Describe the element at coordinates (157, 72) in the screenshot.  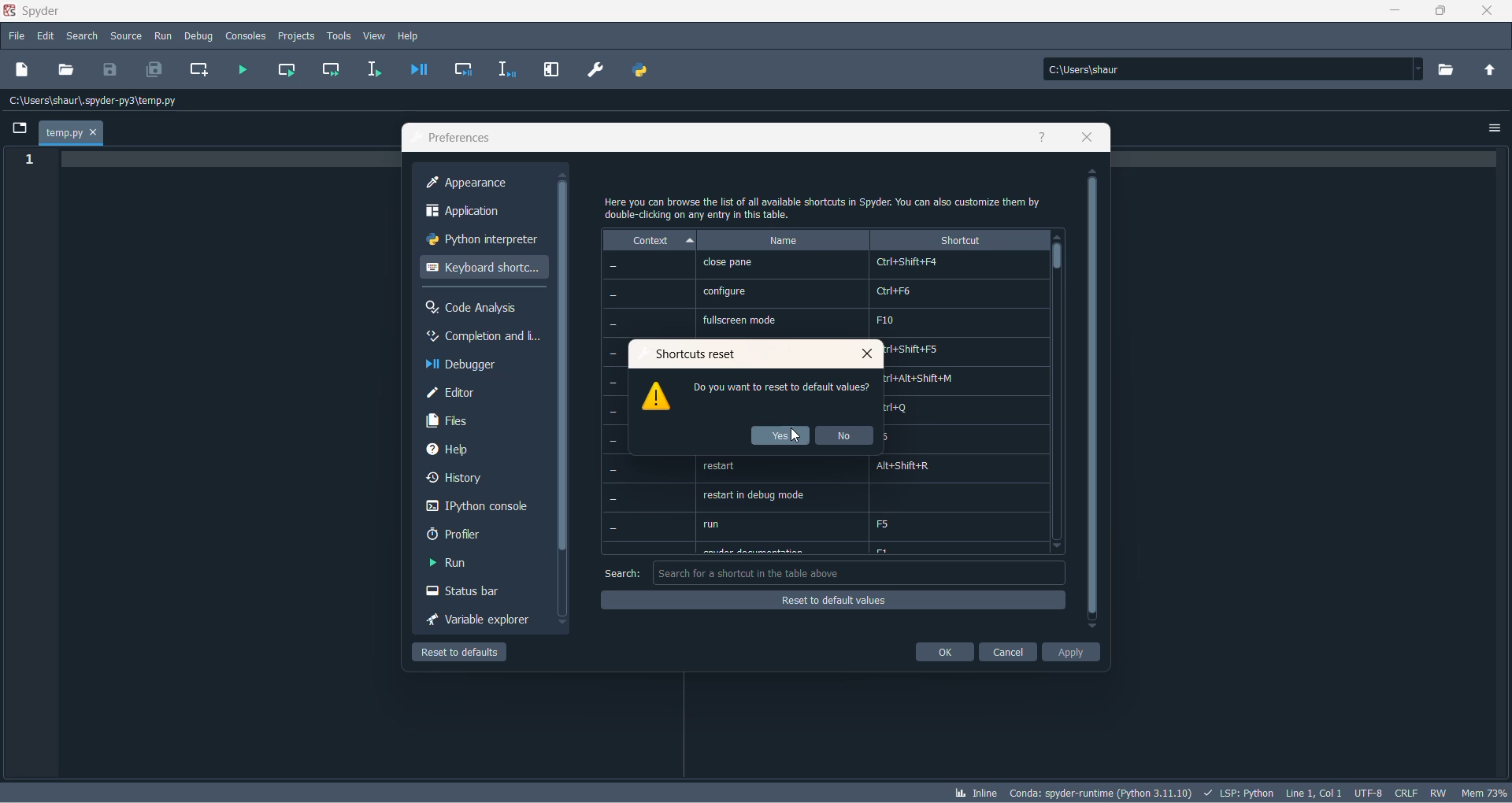
I see `save all` at that location.